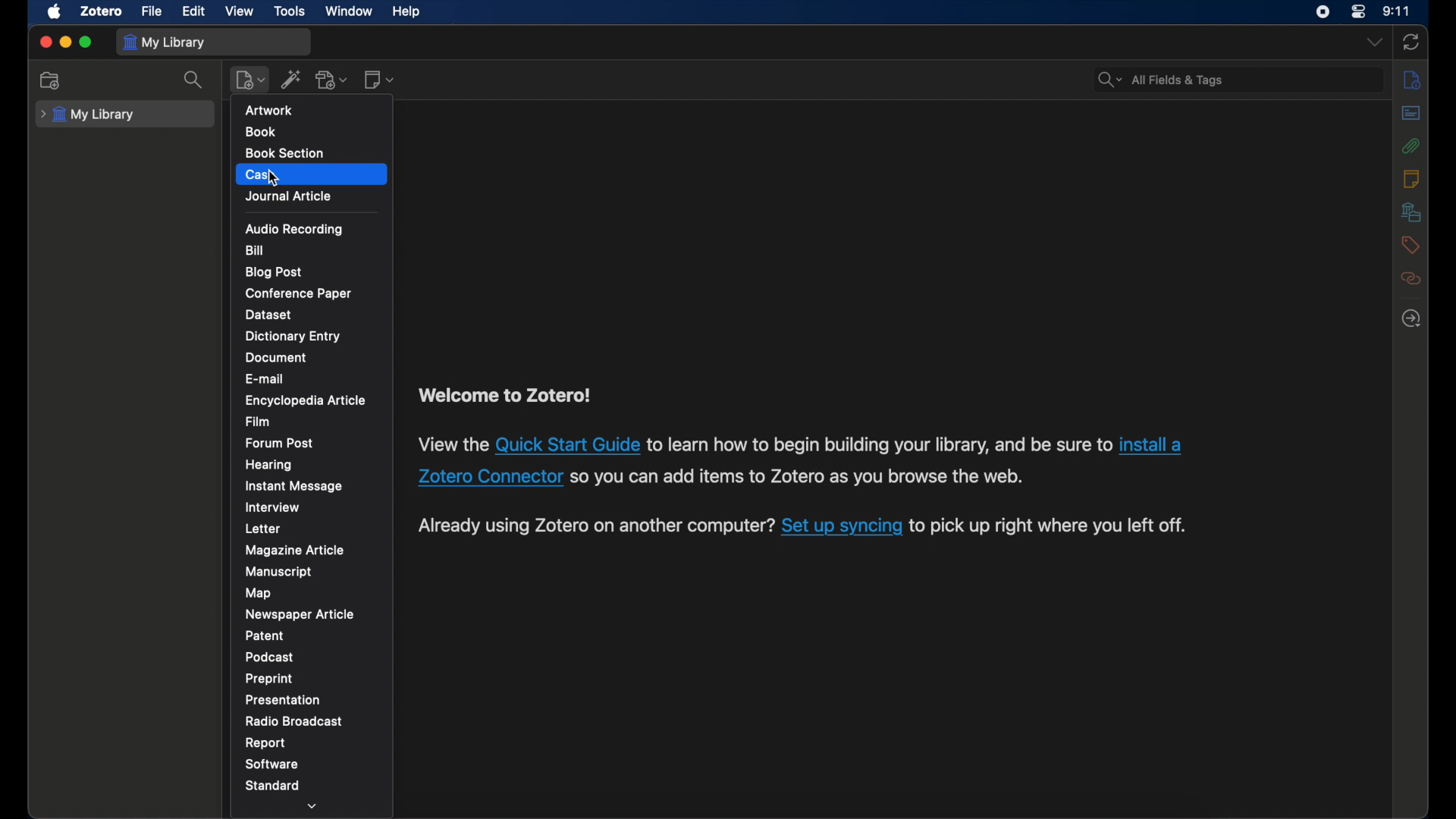 The height and width of the screenshot is (819, 1456). Describe the element at coordinates (294, 230) in the screenshot. I see `audio recording` at that location.